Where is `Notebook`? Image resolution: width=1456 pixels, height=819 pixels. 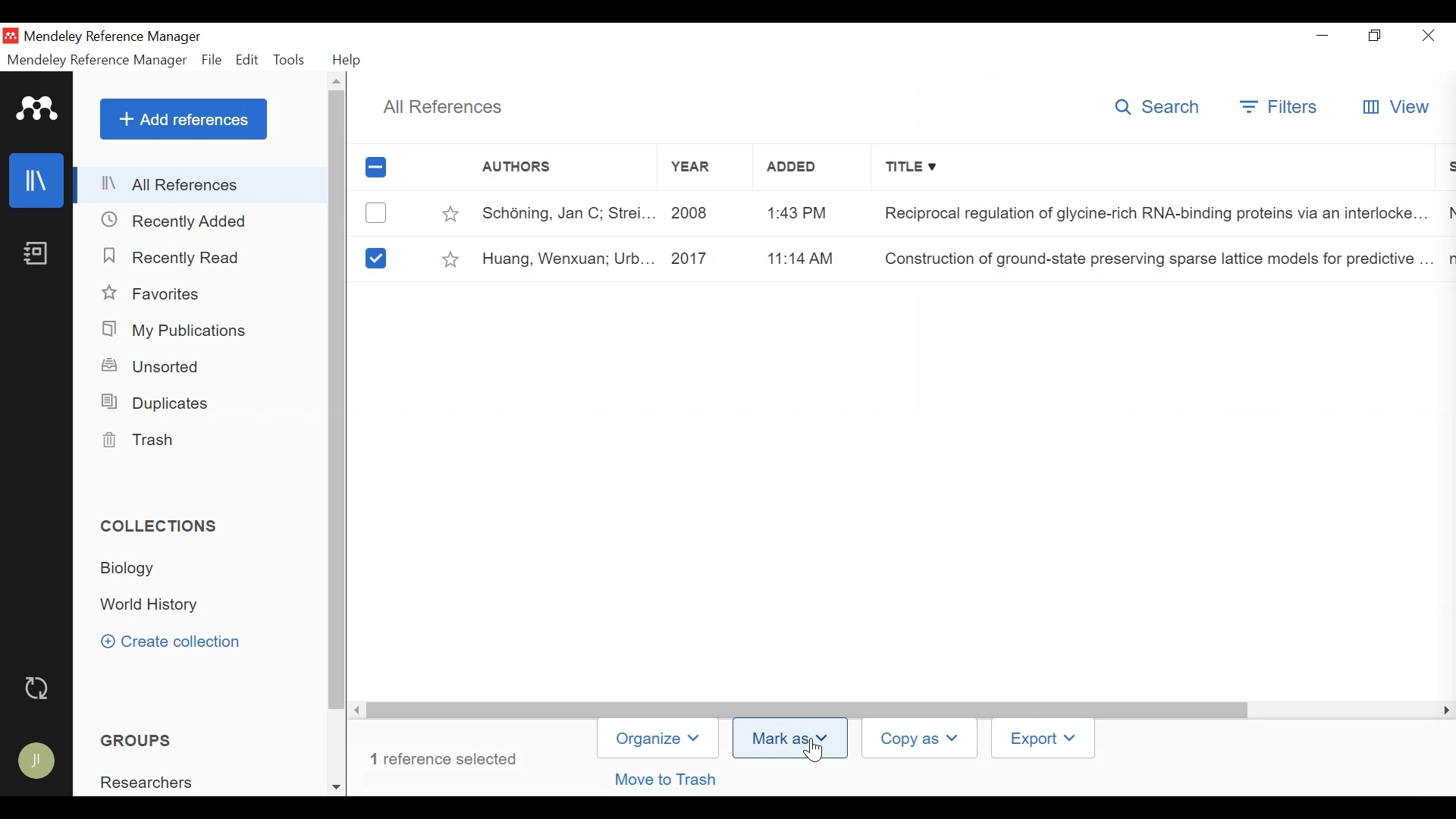 Notebook is located at coordinates (38, 256).